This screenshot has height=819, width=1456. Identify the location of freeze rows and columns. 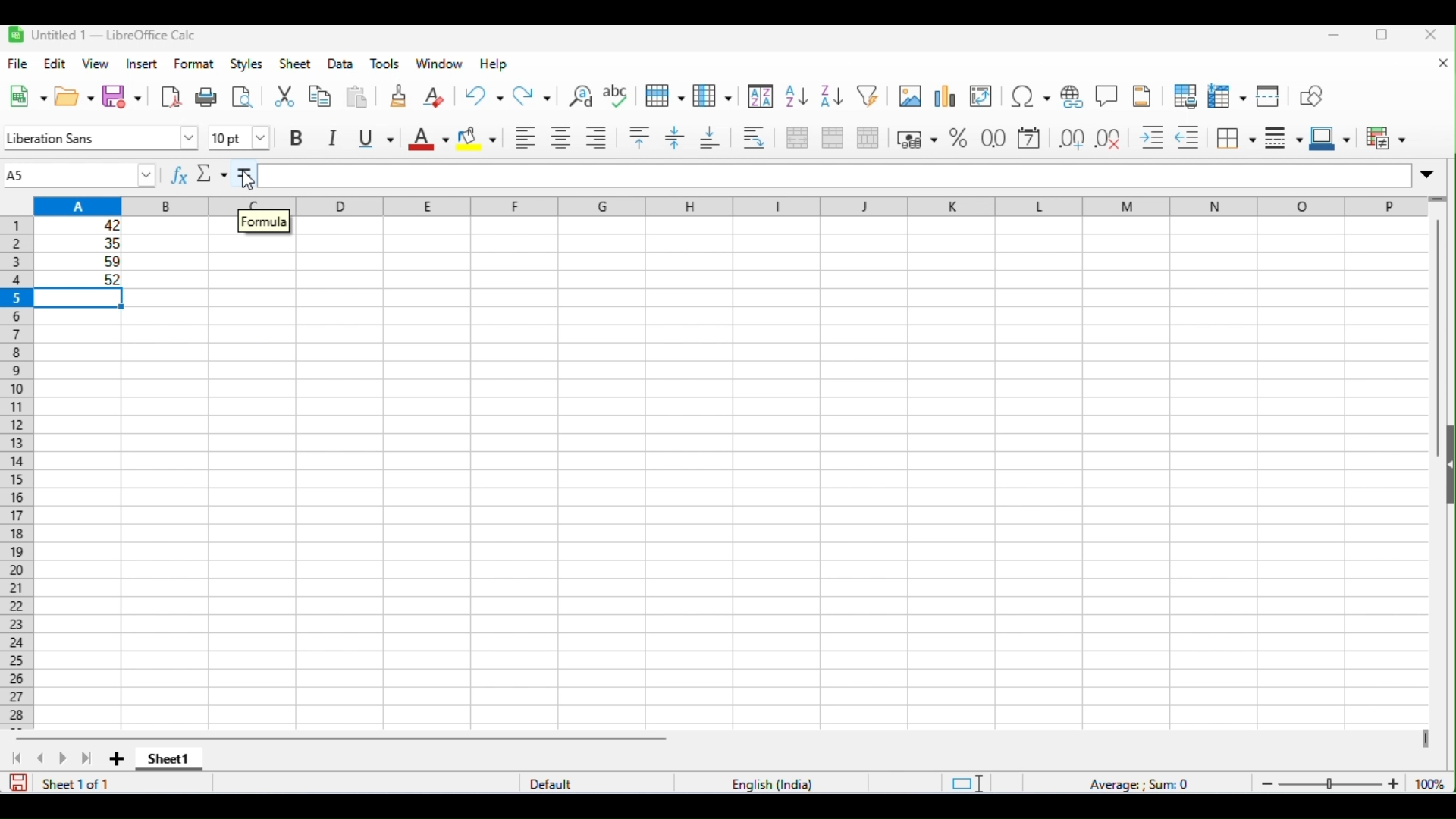
(1225, 96).